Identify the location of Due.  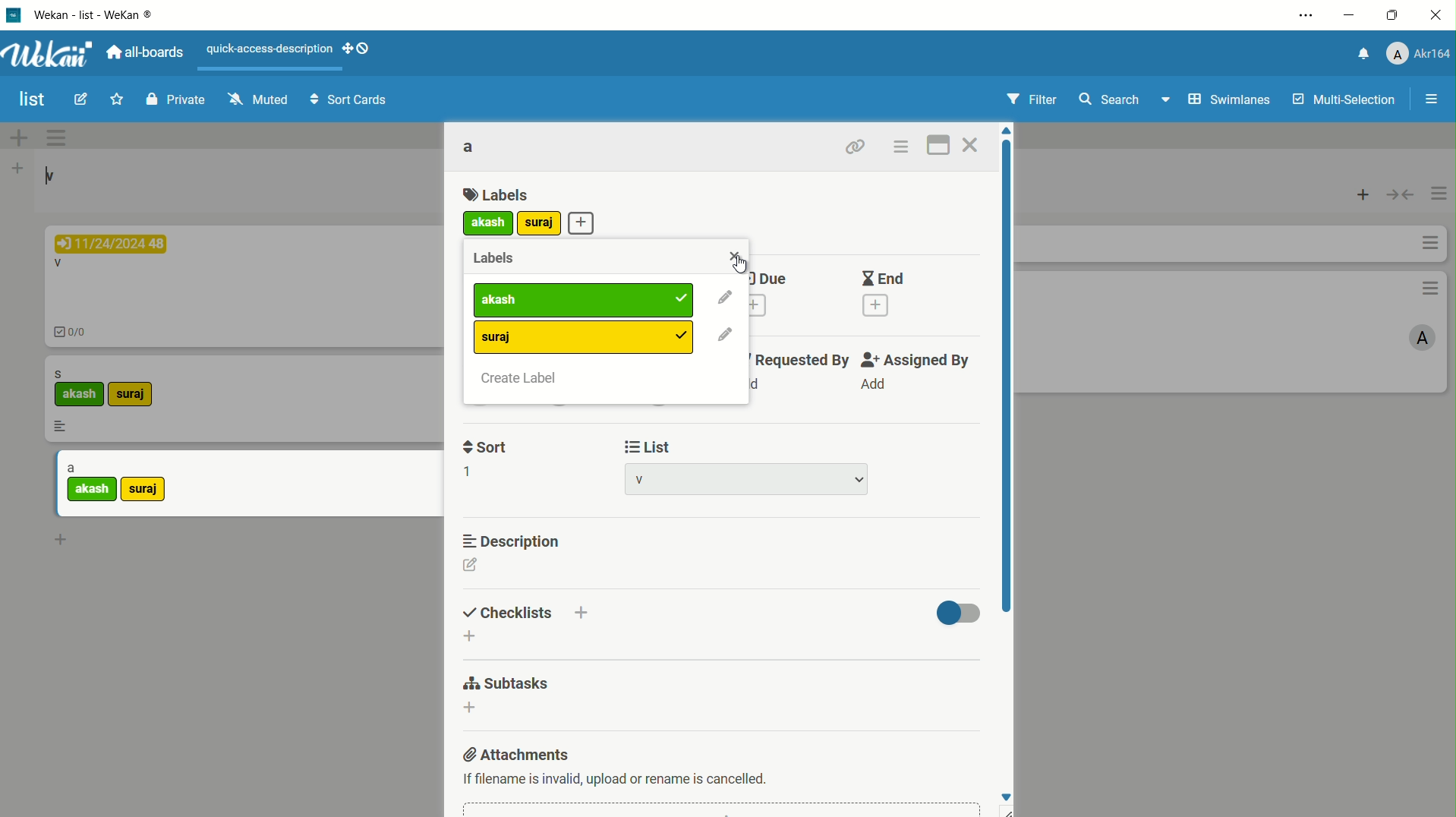
(785, 276).